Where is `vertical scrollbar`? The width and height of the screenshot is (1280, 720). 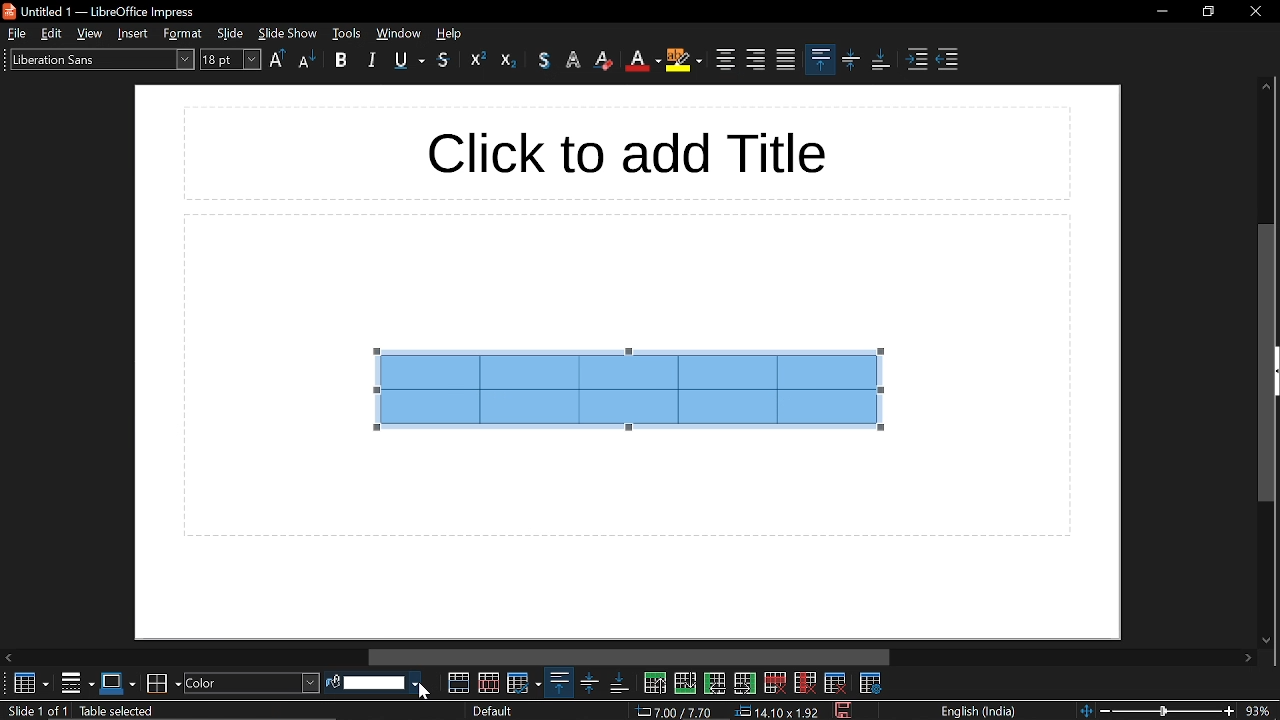
vertical scrollbar is located at coordinates (1263, 364).